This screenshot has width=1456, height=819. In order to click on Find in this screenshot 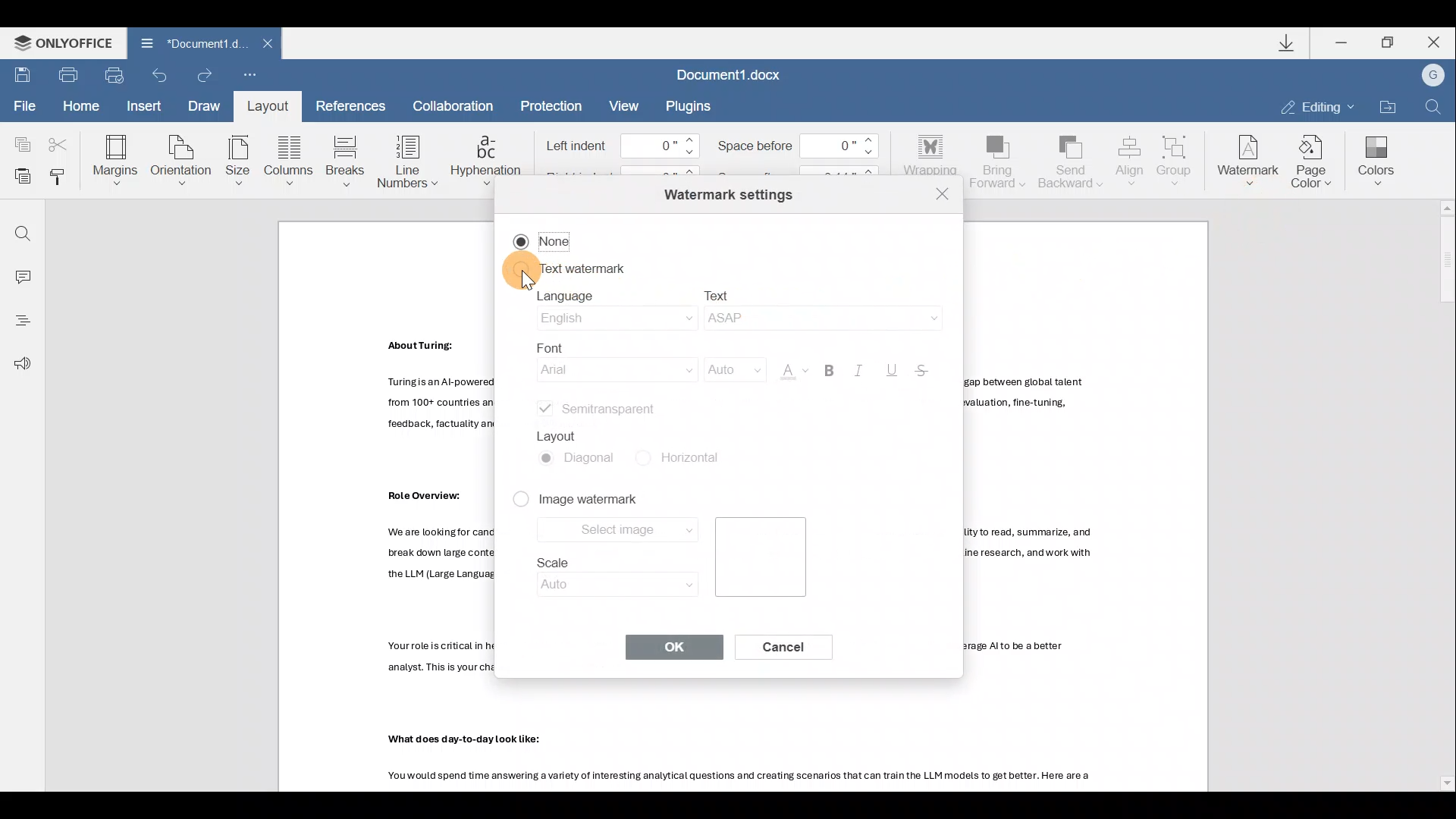, I will do `click(21, 229)`.